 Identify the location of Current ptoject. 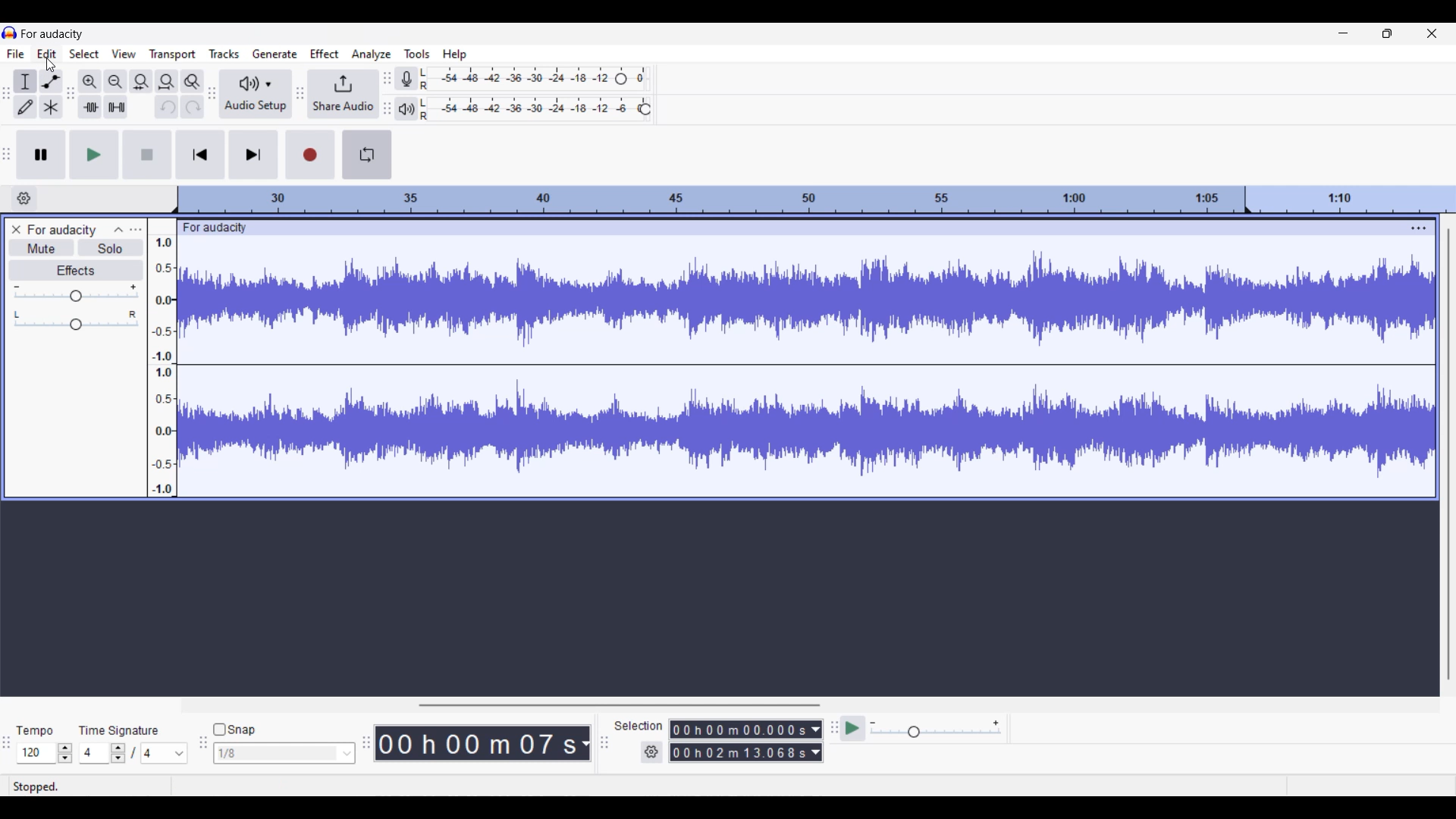
(62, 231).